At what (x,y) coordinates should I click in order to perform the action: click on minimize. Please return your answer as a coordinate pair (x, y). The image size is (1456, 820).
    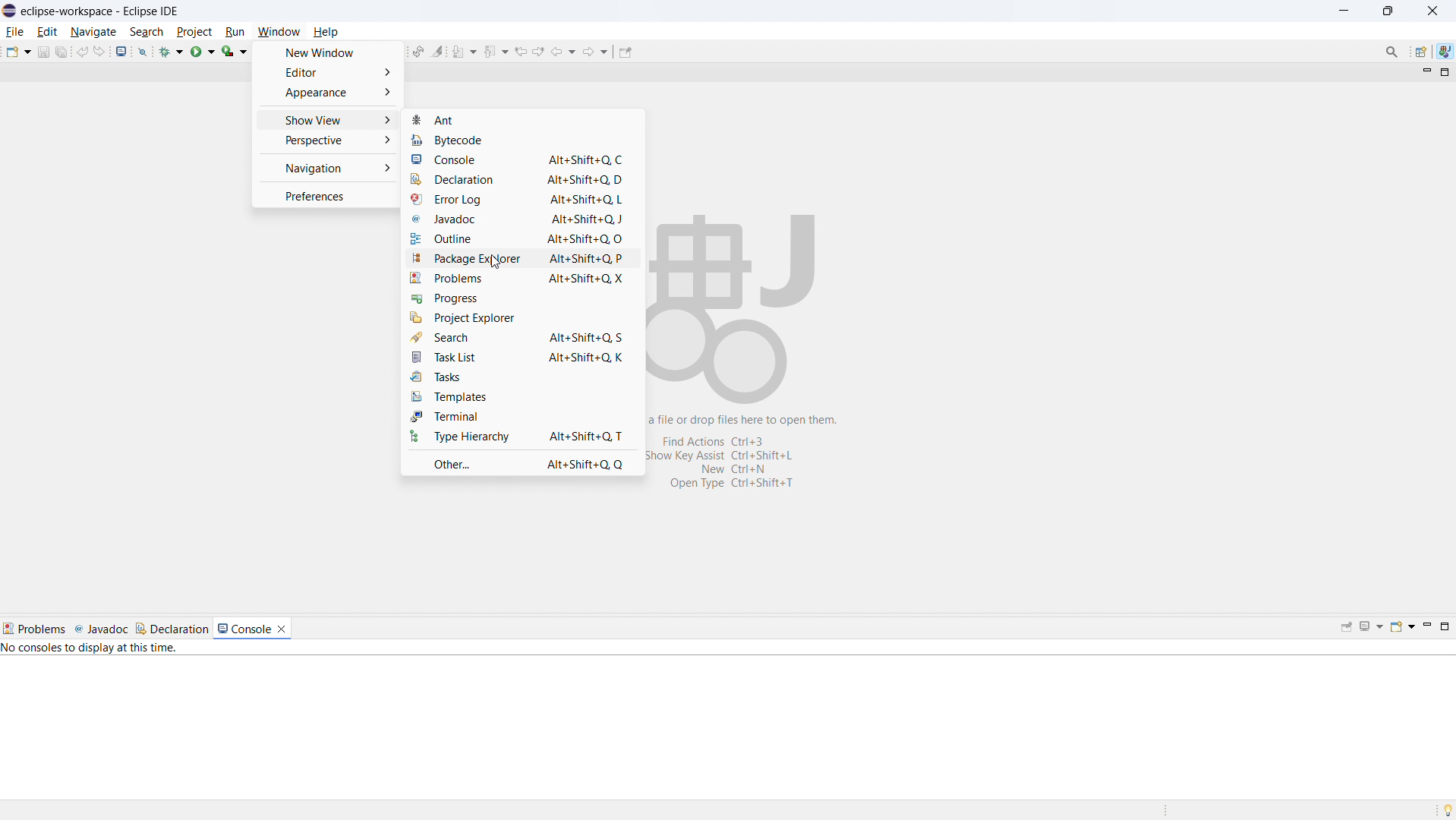
    Looking at the image, I should click on (1344, 11).